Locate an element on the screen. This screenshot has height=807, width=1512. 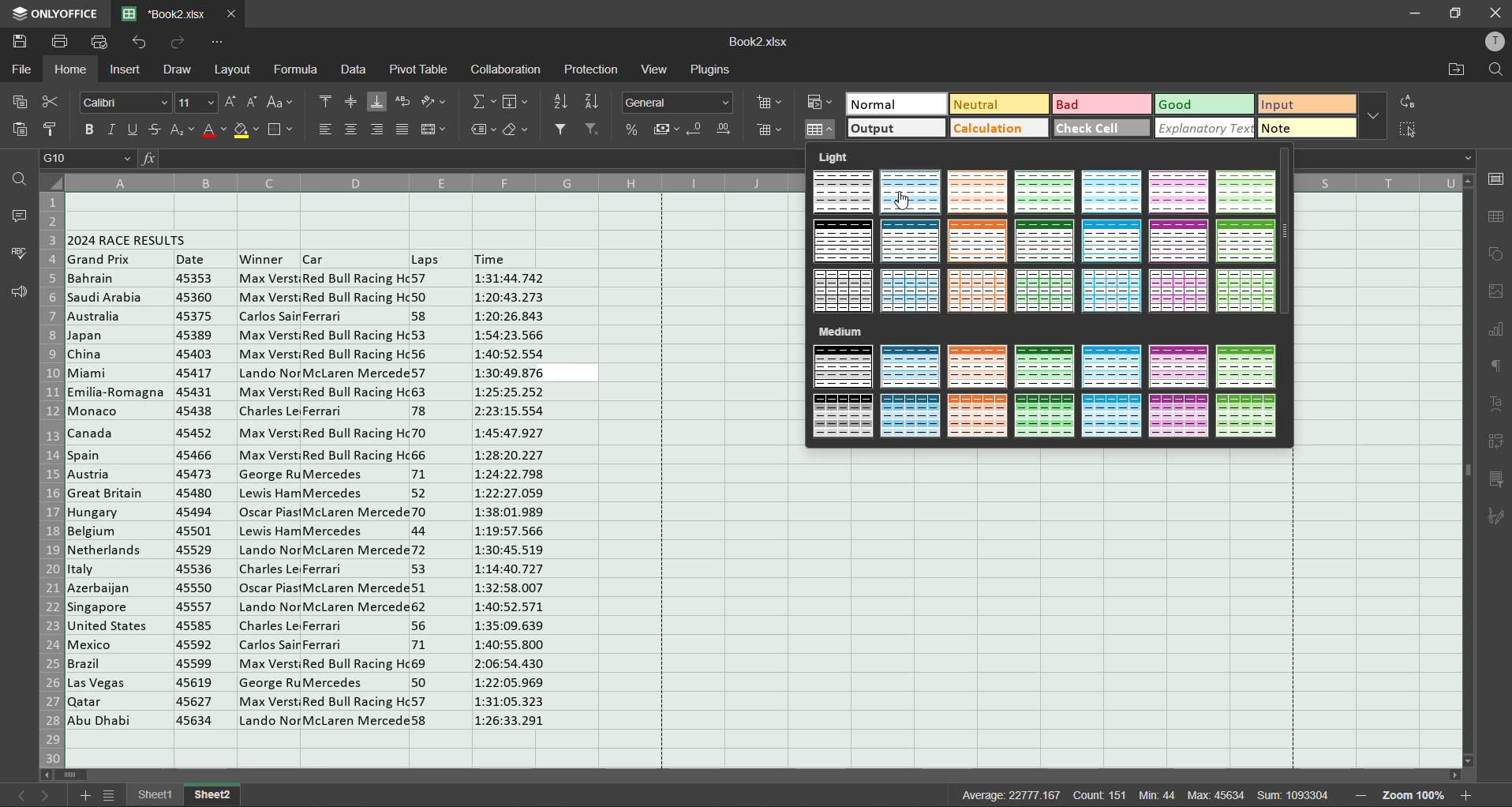
percent is located at coordinates (634, 129).